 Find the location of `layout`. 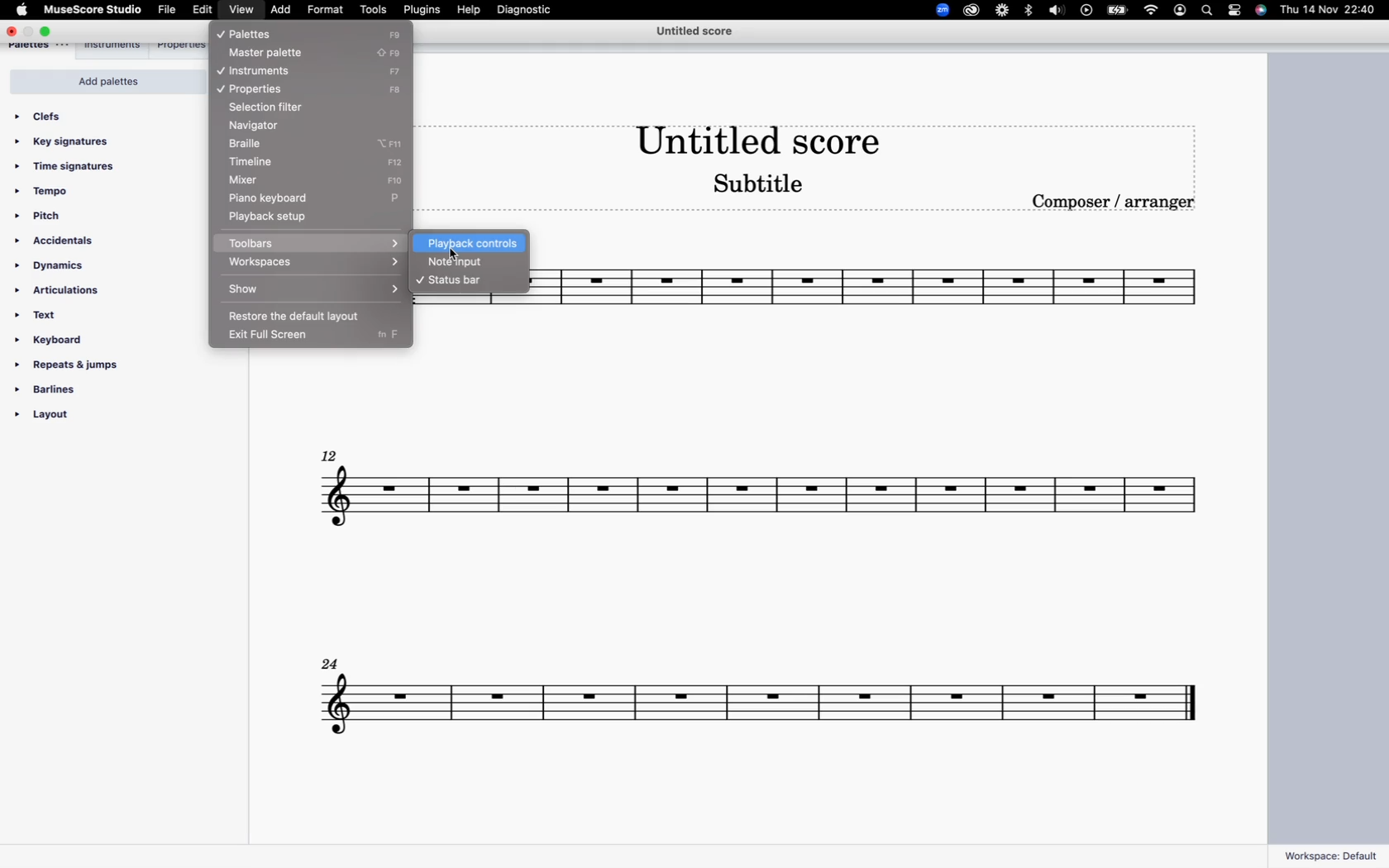

layout is located at coordinates (74, 418).